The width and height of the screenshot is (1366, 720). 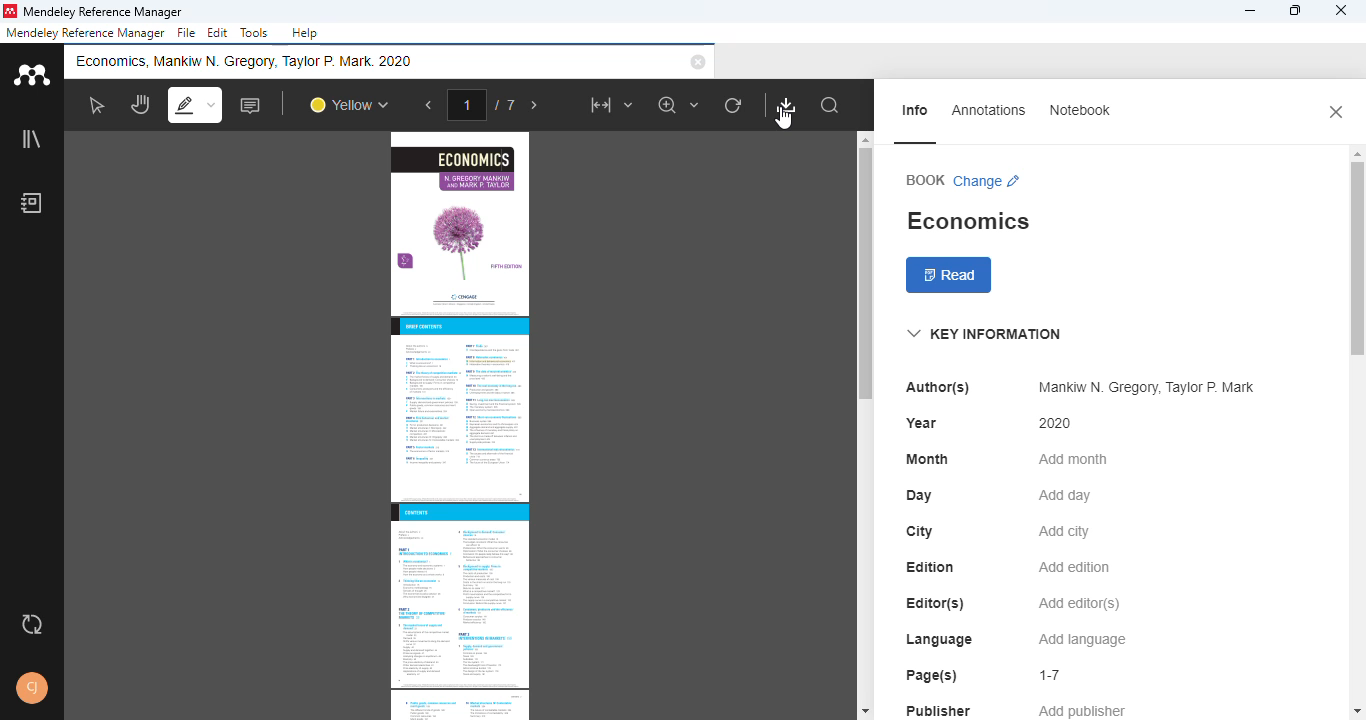 What do you see at coordinates (348, 106) in the screenshot?
I see `select color` at bounding box center [348, 106].